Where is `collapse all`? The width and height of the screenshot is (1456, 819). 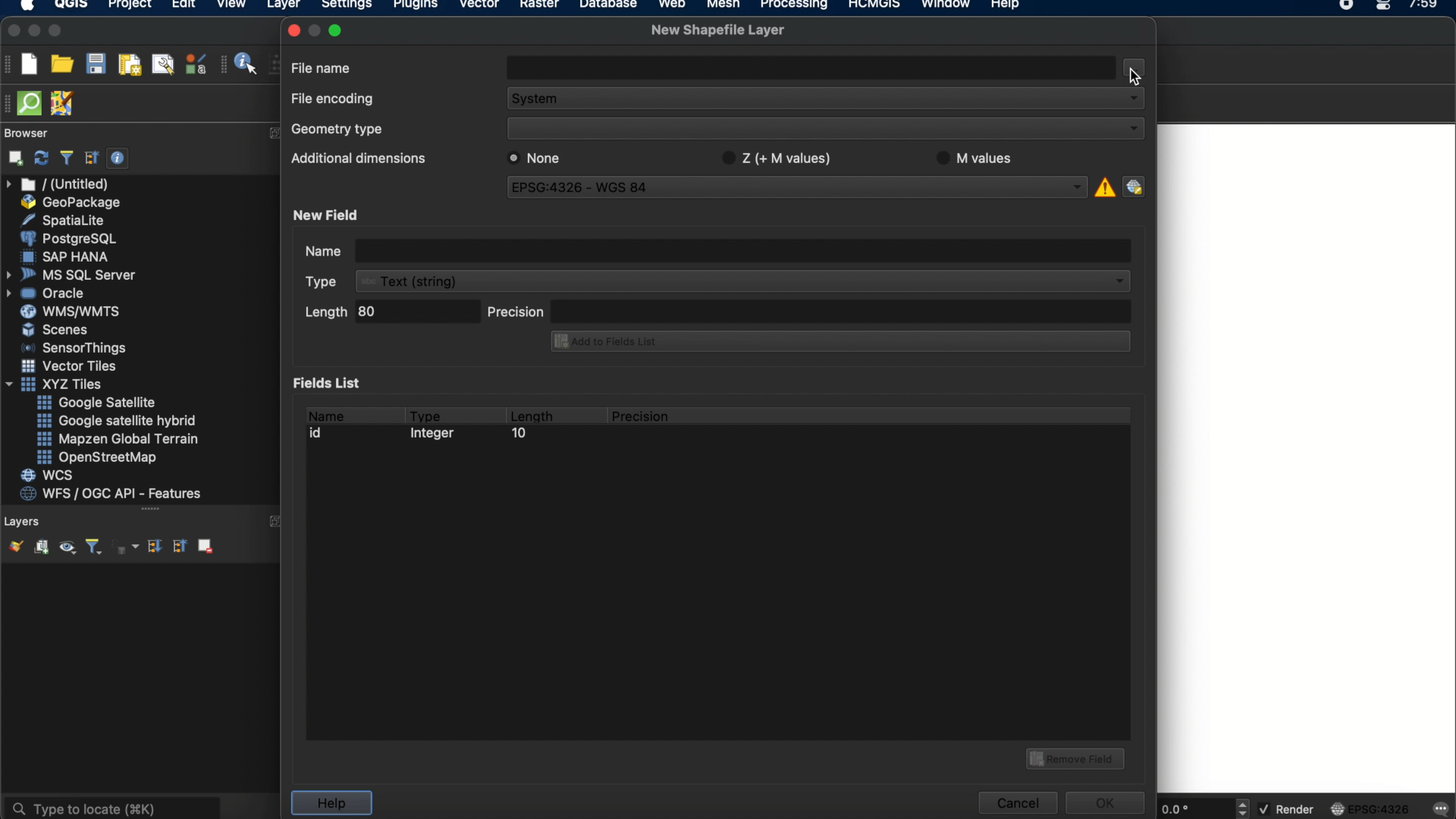
collapse all is located at coordinates (92, 158).